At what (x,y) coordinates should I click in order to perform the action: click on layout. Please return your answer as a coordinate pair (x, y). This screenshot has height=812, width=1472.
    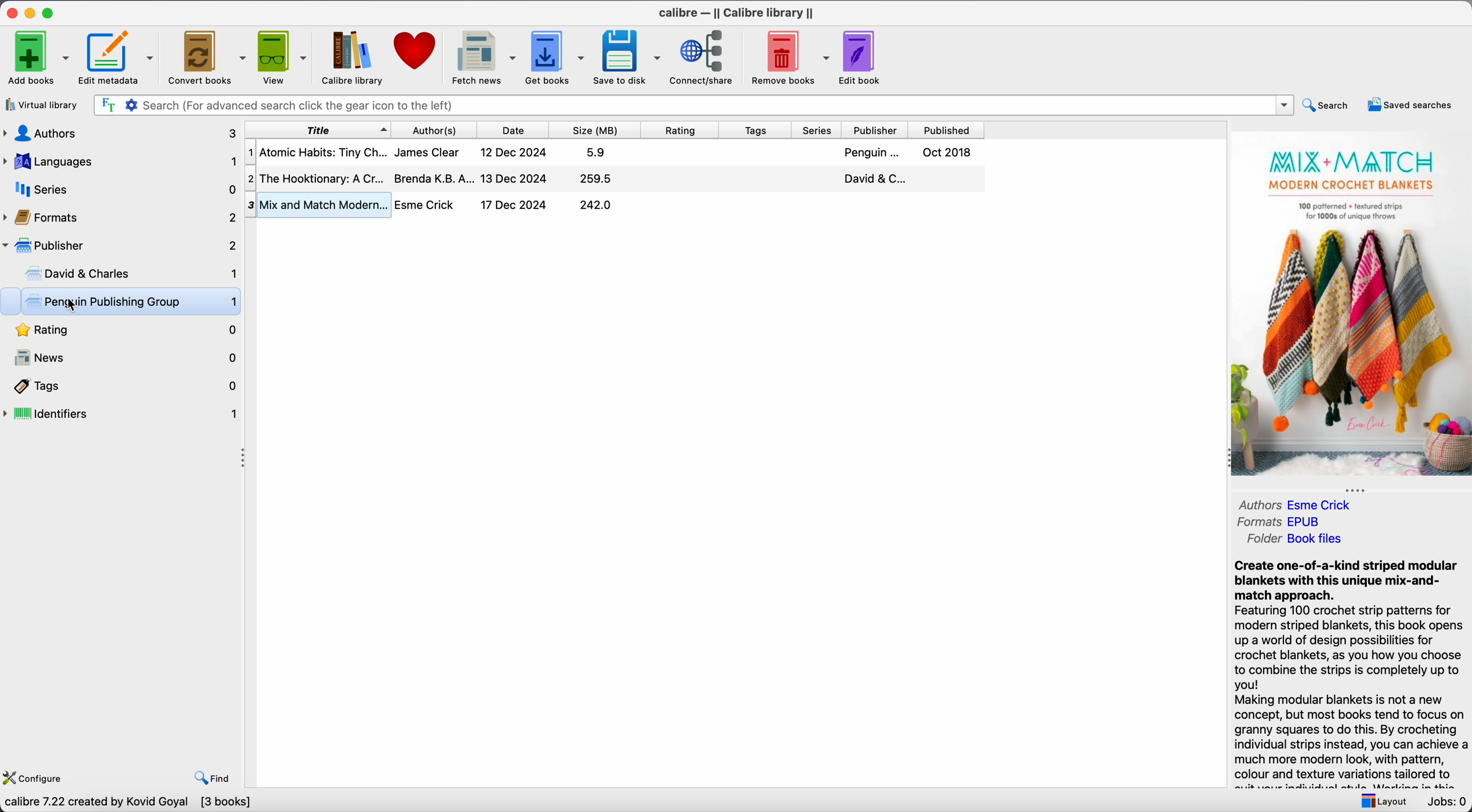
    Looking at the image, I should click on (1381, 800).